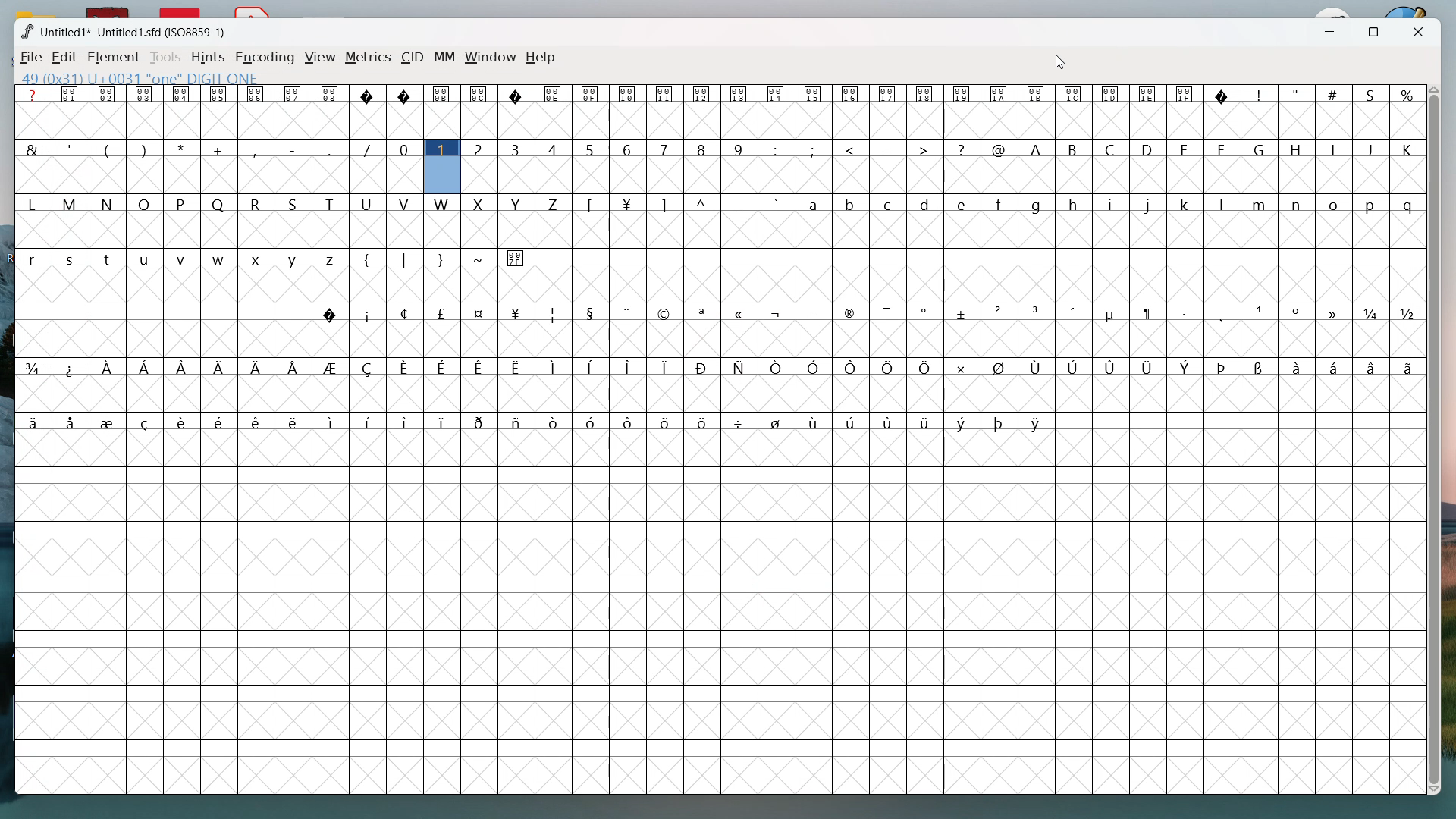 The width and height of the screenshot is (1456, 819). Describe the element at coordinates (517, 421) in the screenshot. I see `symbol` at that location.